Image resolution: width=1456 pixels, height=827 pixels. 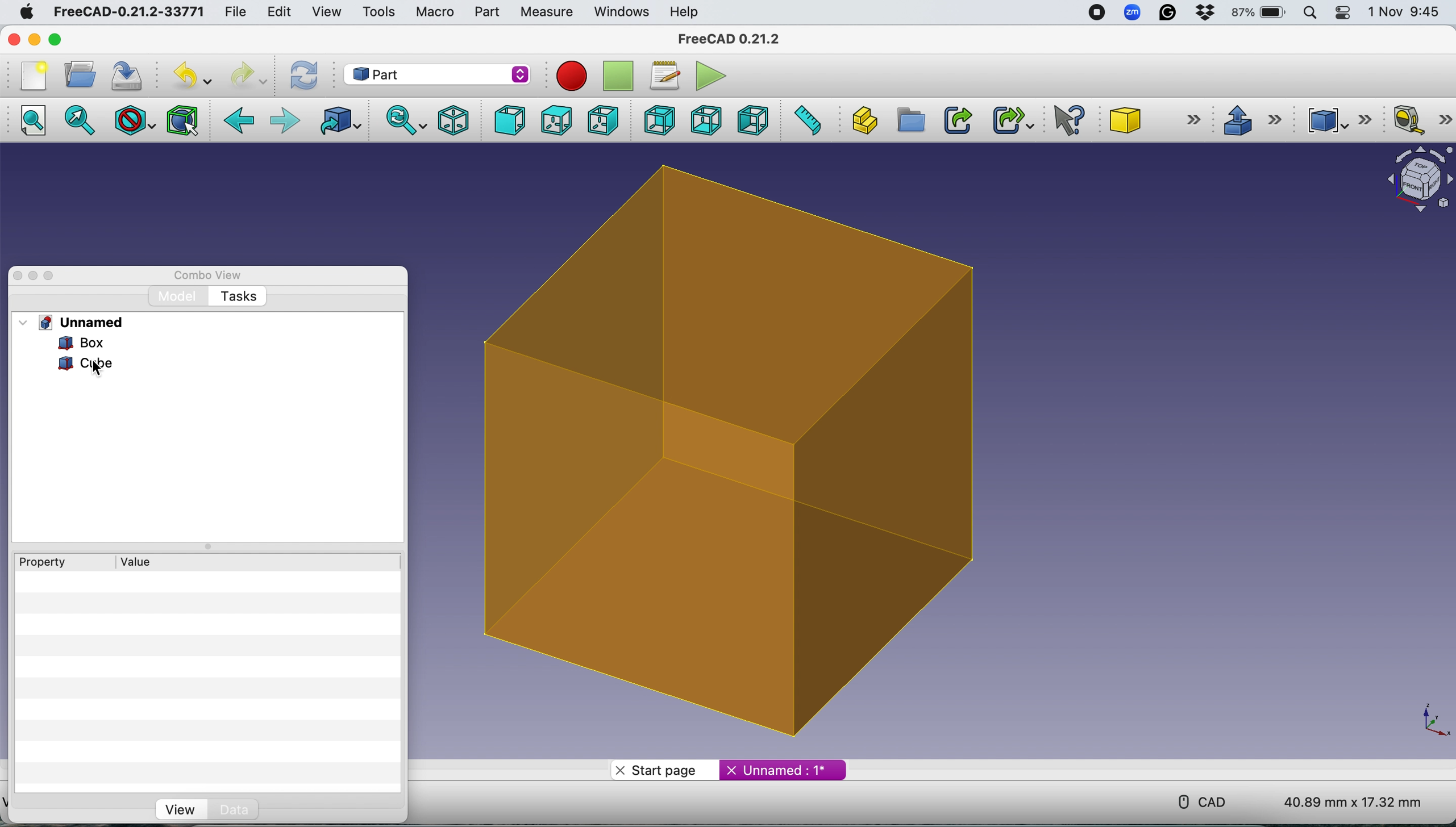 I want to click on Maximise, so click(x=51, y=276).